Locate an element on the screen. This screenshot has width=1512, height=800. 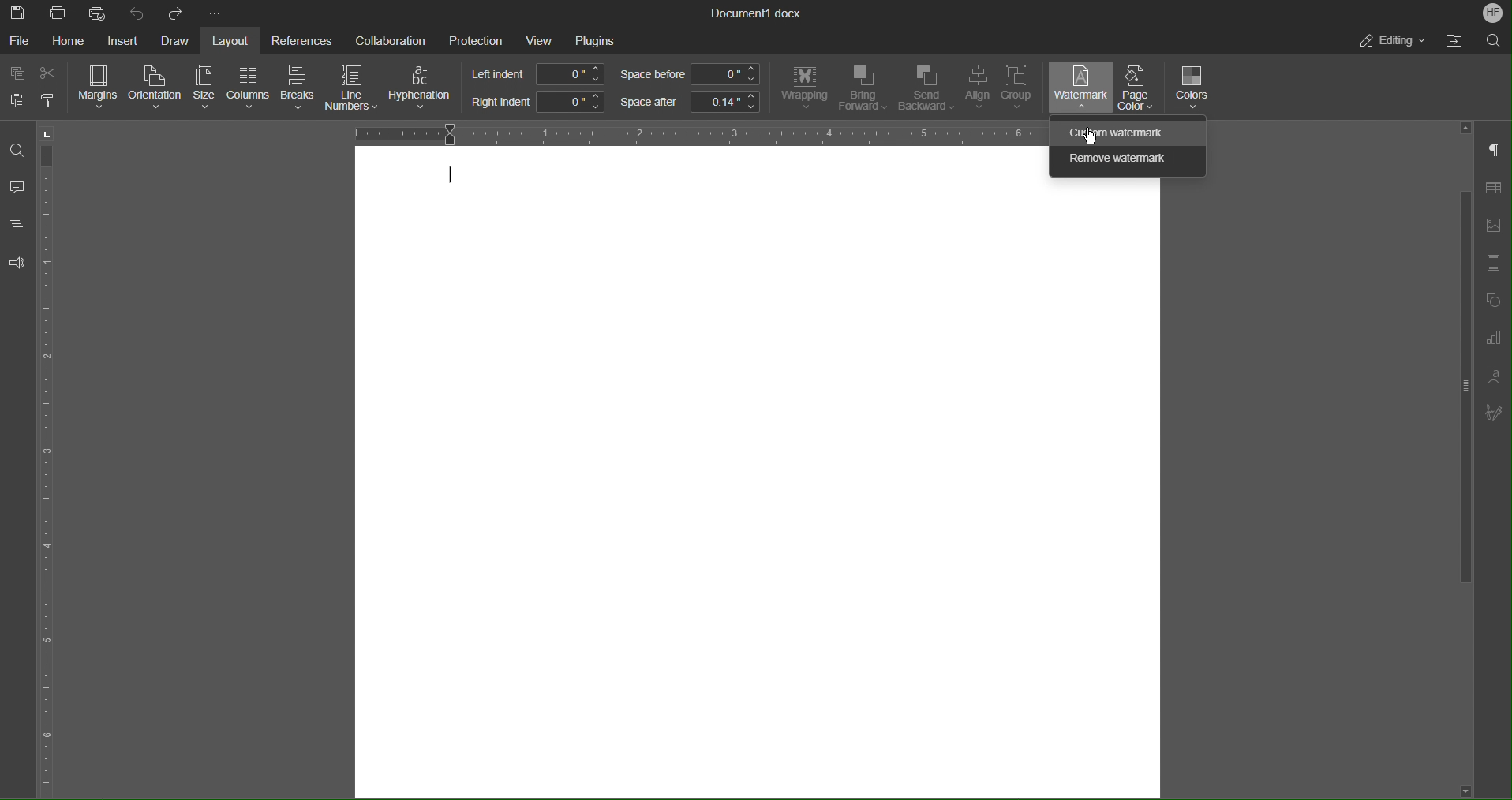
View is located at coordinates (541, 40).